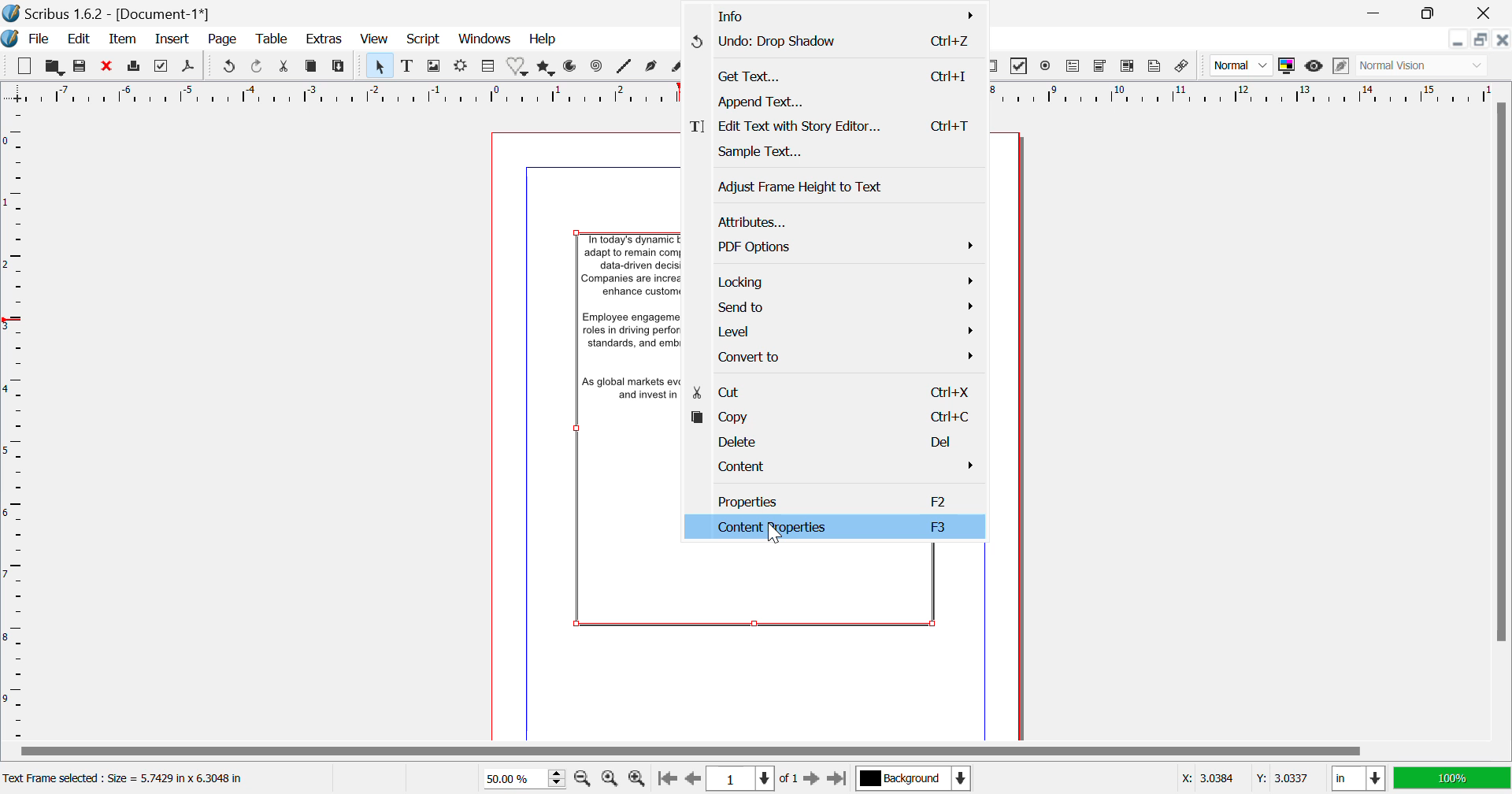 The image size is (1512, 794). Describe the element at coordinates (1458, 39) in the screenshot. I see `Restore Down` at that location.